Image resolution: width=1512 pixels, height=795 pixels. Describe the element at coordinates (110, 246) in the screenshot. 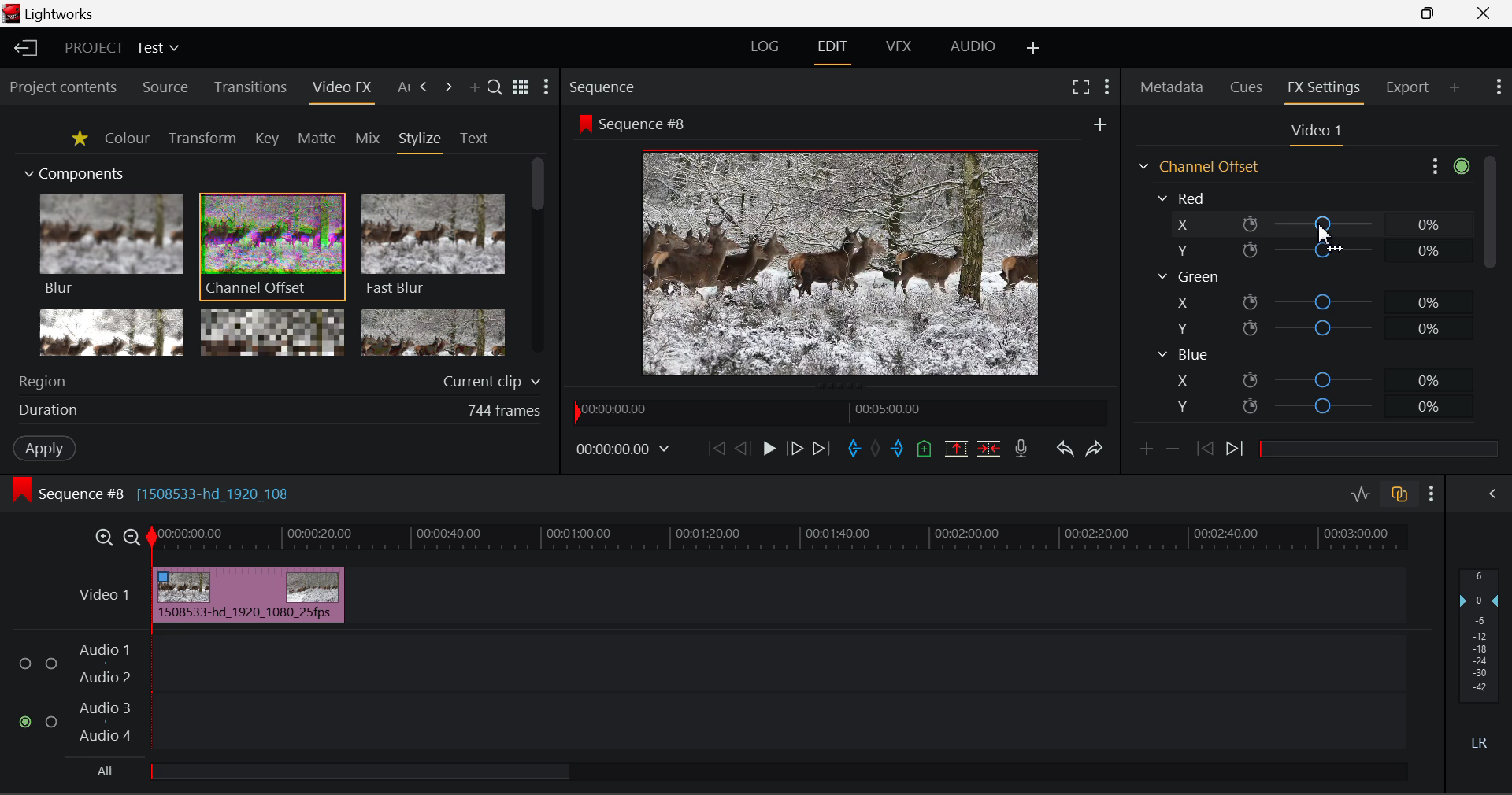

I see `Blur` at that location.